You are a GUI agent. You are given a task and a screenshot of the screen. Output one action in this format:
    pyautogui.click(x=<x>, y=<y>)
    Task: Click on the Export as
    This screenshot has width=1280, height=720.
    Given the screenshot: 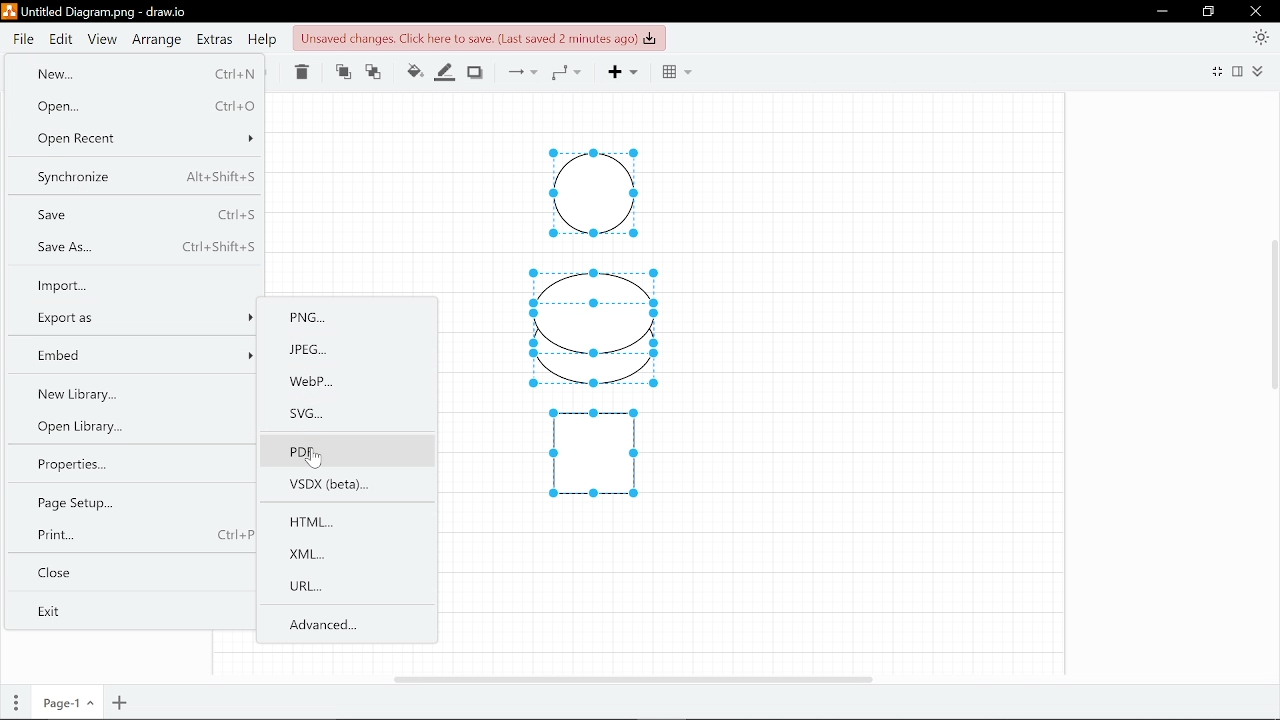 What is the action you would take?
    pyautogui.click(x=138, y=318)
    